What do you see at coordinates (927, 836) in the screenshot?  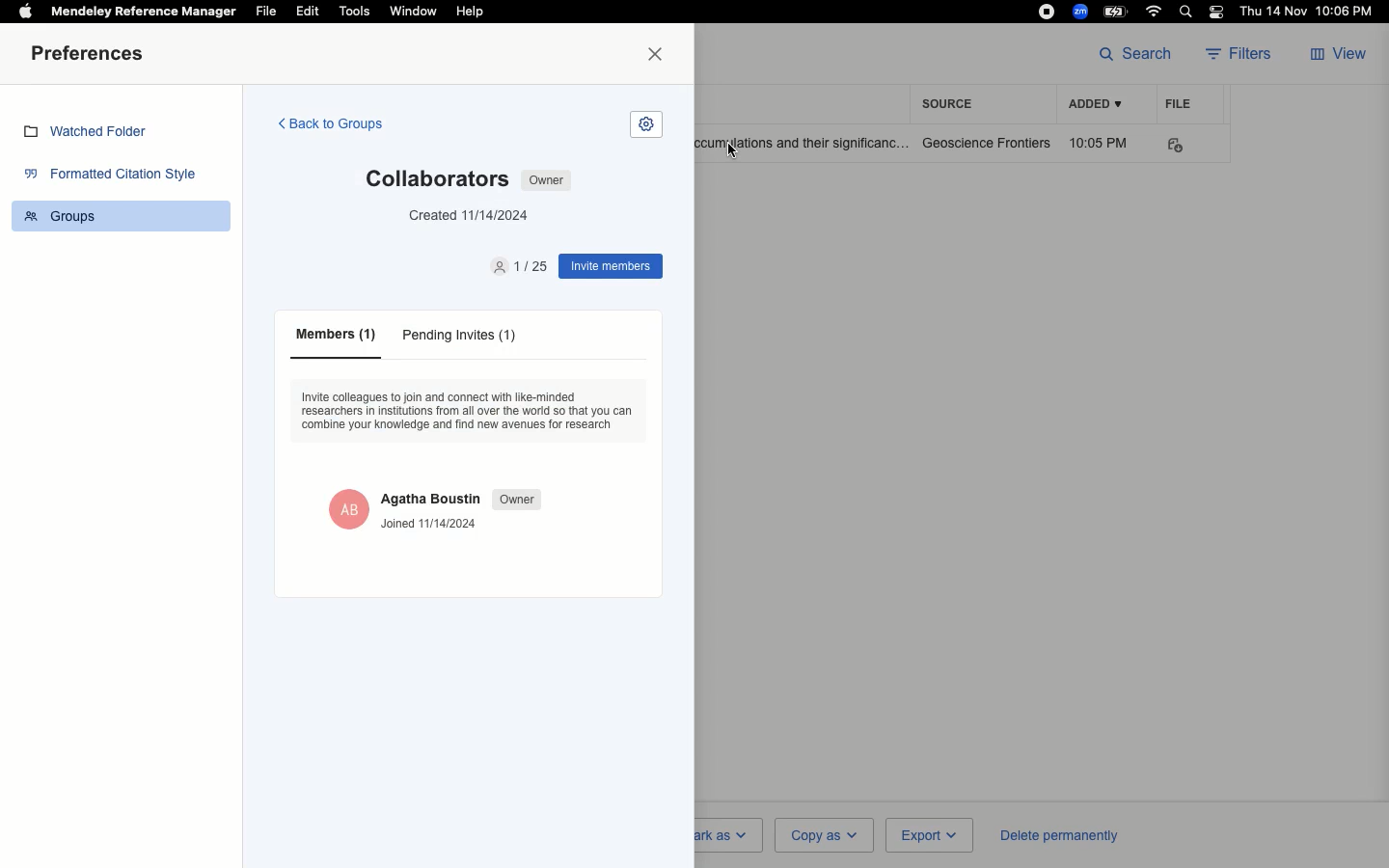 I see `Export` at bounding box center [927, 836].